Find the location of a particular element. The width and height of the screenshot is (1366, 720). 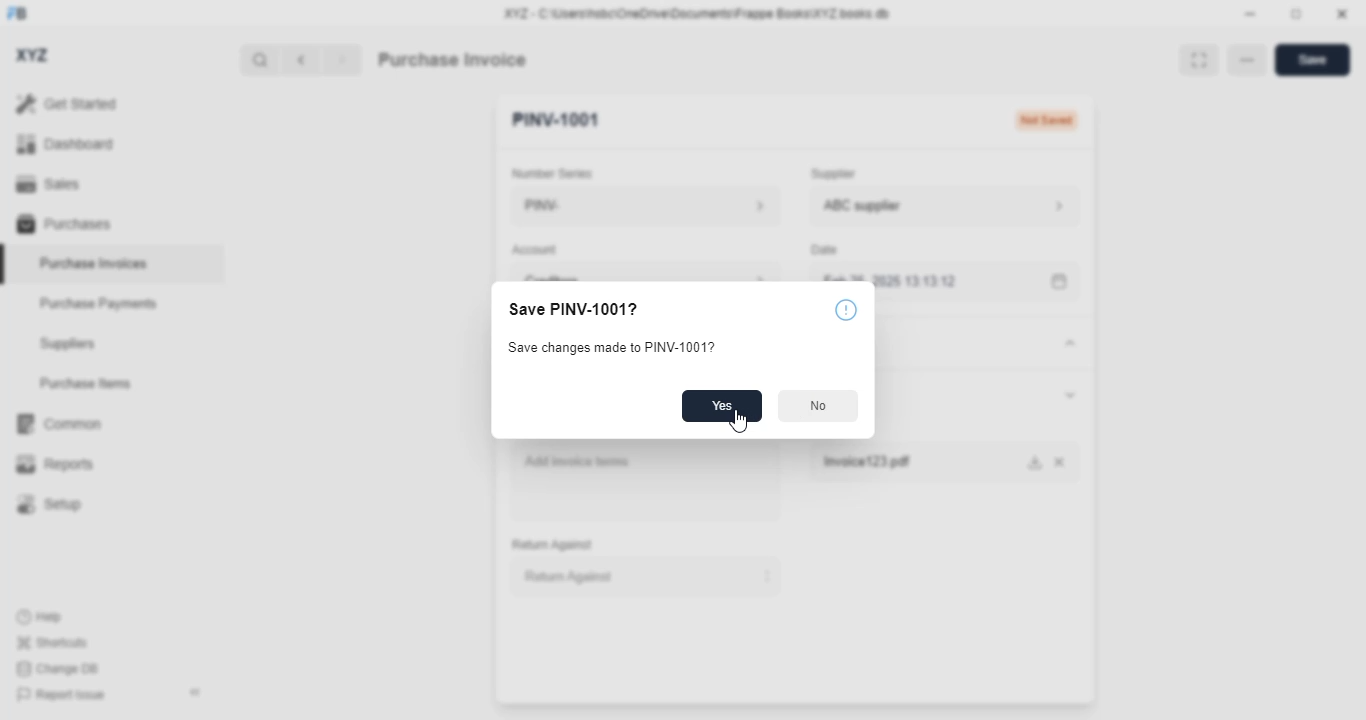

save is located at coordinates (1313, 60).